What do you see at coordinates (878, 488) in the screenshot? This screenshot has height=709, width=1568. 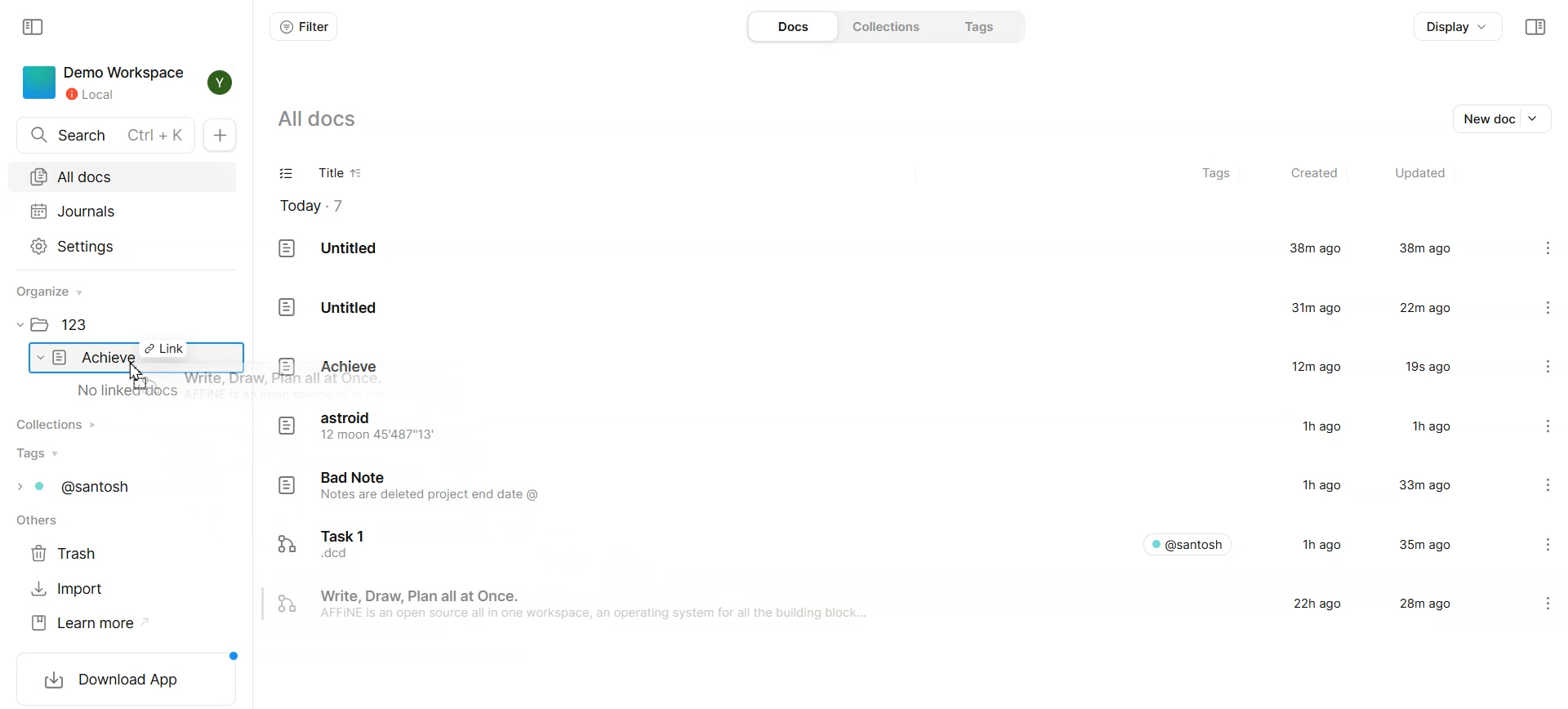 I see `Doc file` at bounding box center [878, 488].